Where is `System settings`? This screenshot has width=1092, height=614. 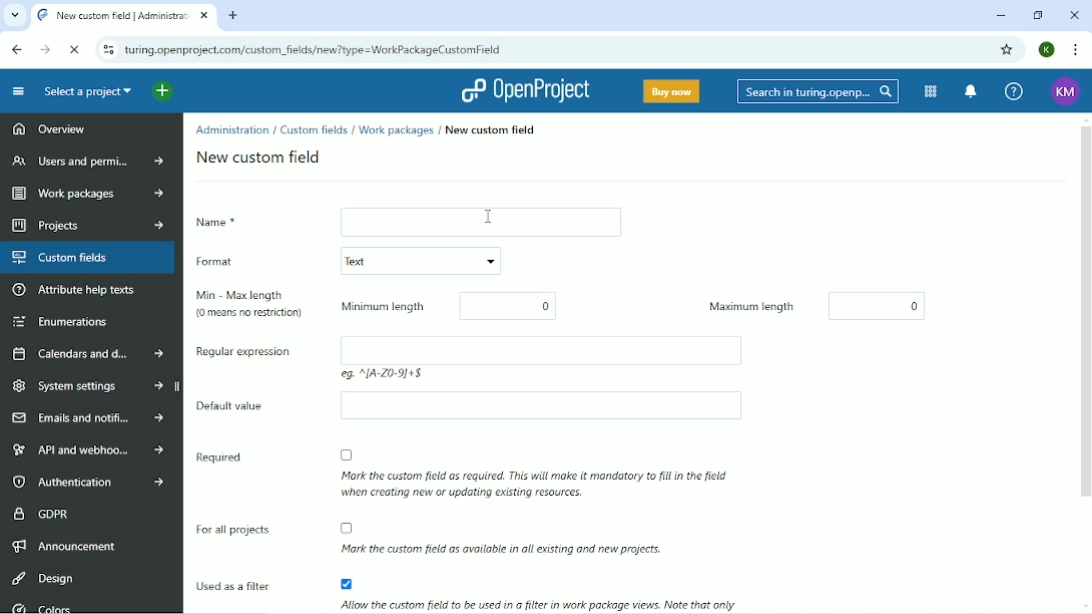
System settings is located at coordinates (90, 388).